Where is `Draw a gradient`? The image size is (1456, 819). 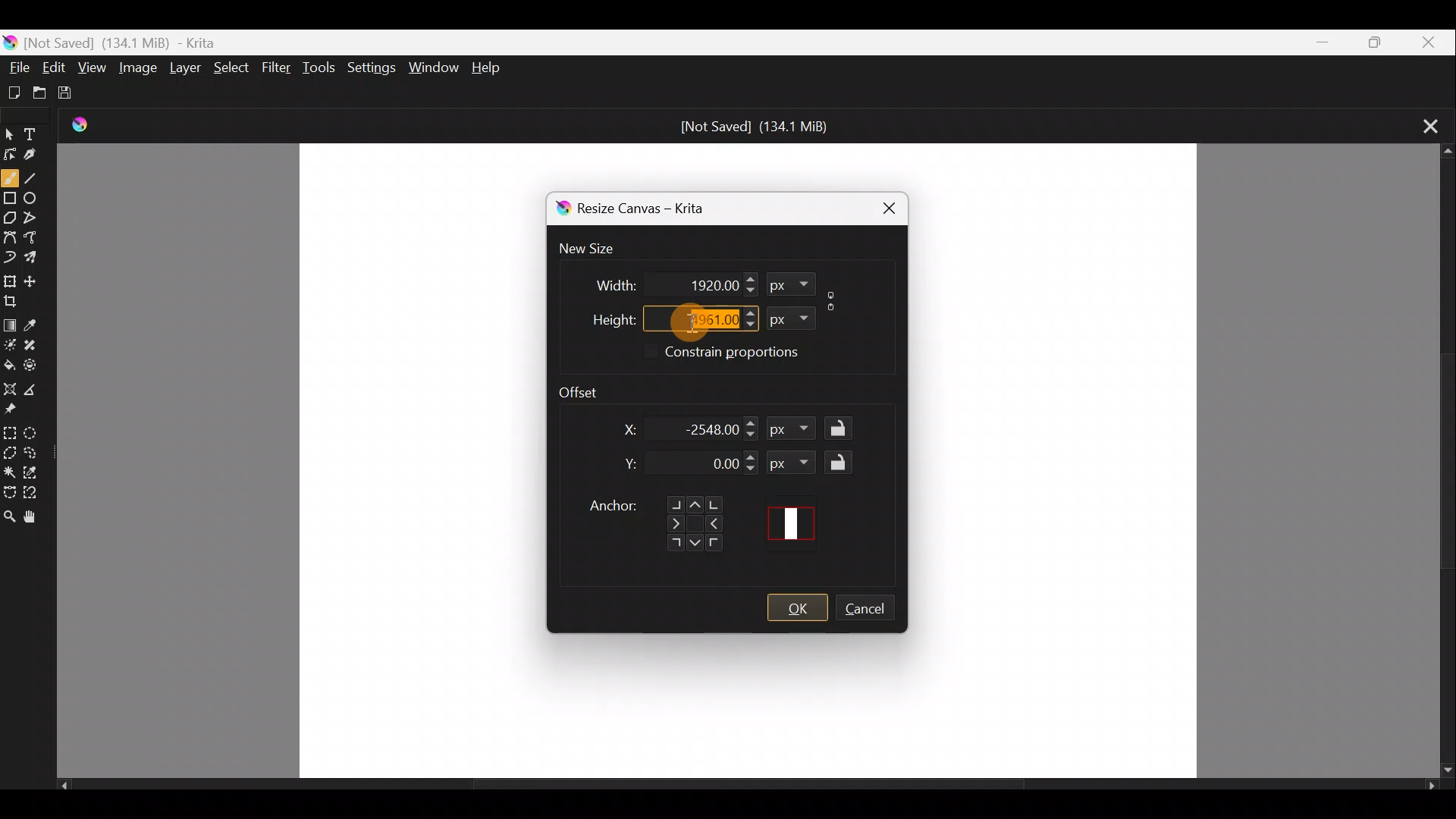
Draw a gradient is located at coordinates (11, 322).